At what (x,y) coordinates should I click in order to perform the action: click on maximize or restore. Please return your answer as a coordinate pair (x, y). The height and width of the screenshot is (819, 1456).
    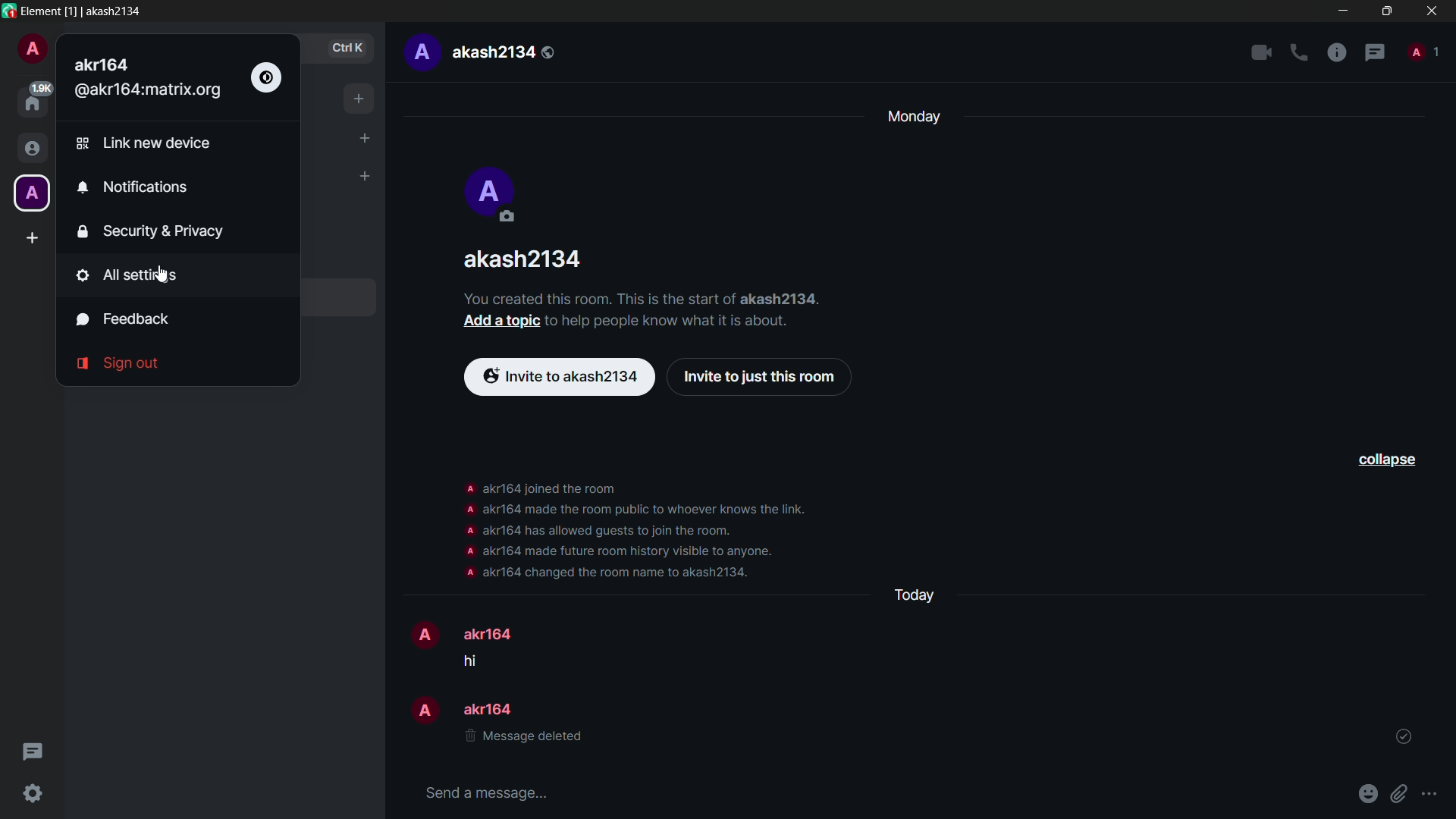
    Looking at the image, I should click on (1386, 10).